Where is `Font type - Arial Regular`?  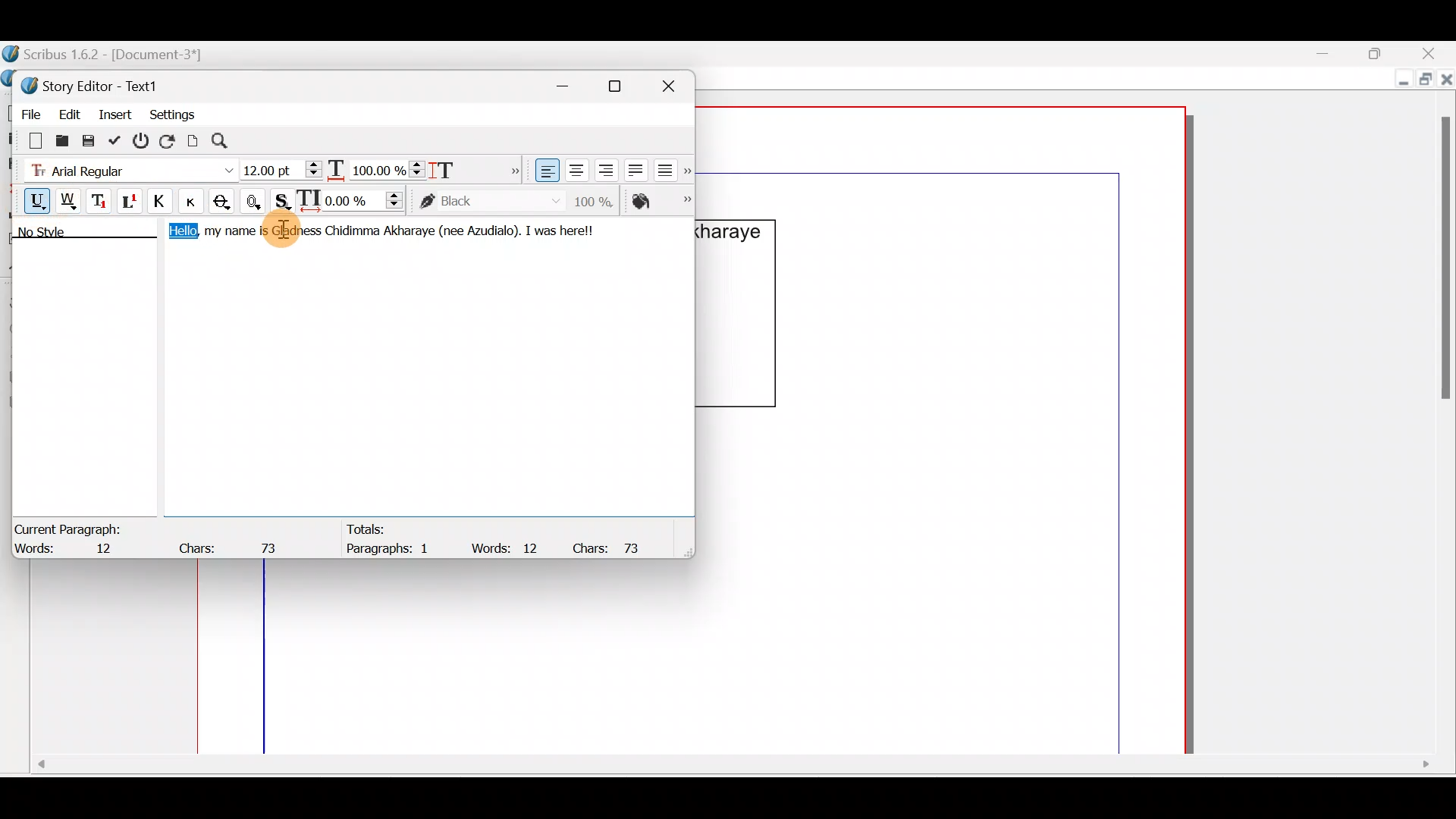
Font type - Arial Regular is located at coordinates (126, 168).